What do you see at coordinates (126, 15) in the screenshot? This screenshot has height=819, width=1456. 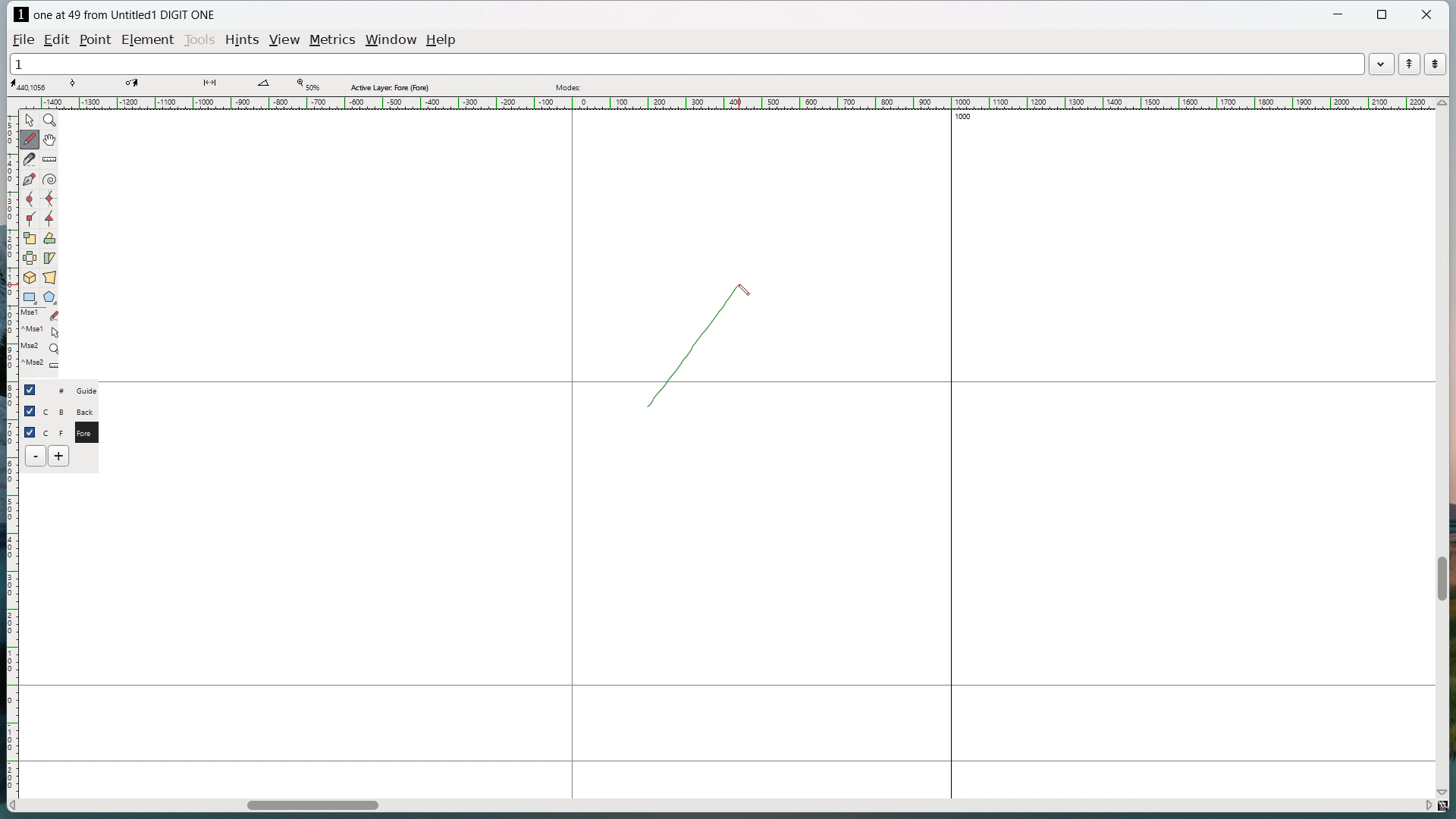 I see `one at 49 from Untitled1 DIGIT ONE` at bounding box center [126, 15].